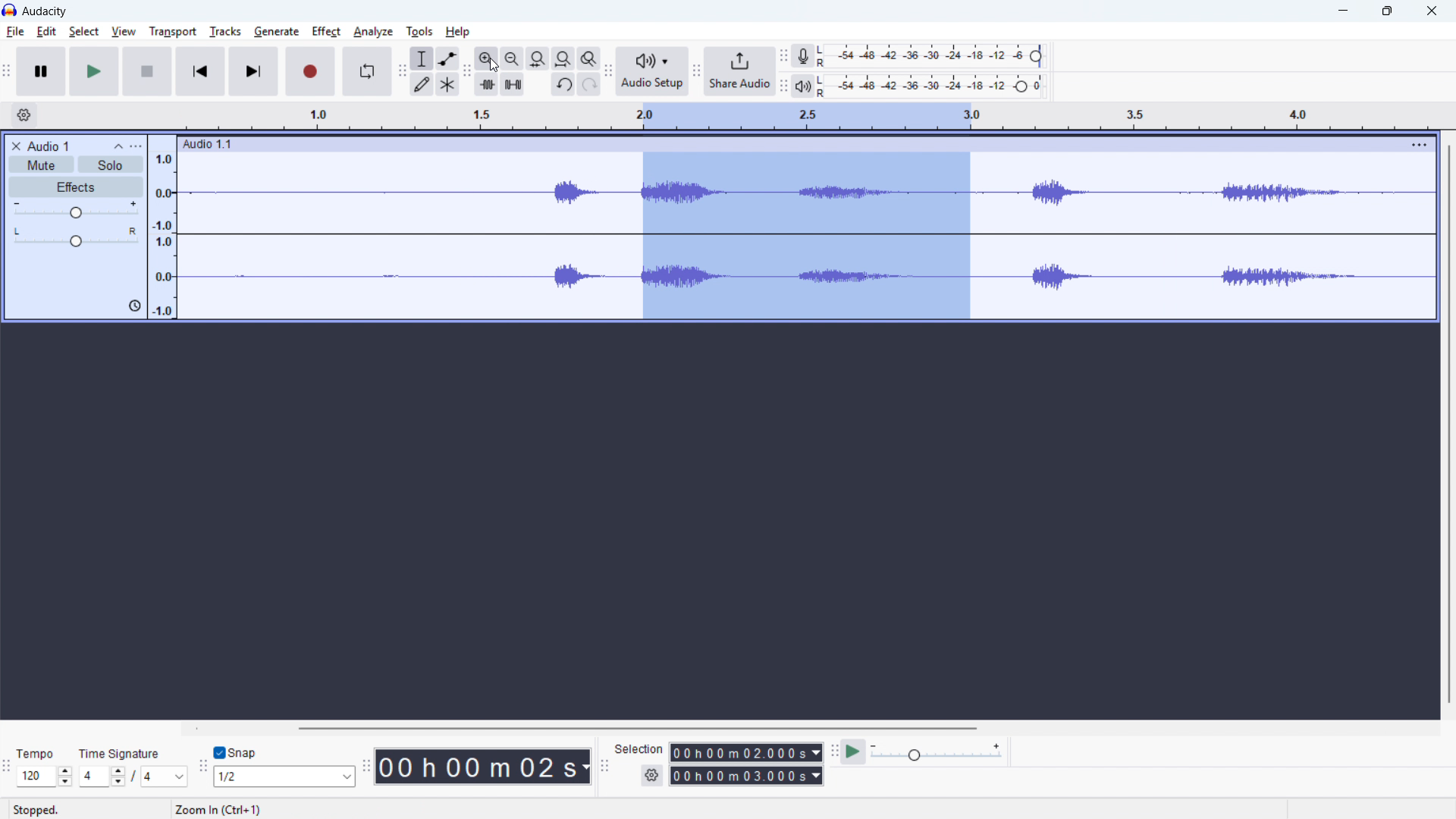  I want to click on Audio setup, so click(652, 71).